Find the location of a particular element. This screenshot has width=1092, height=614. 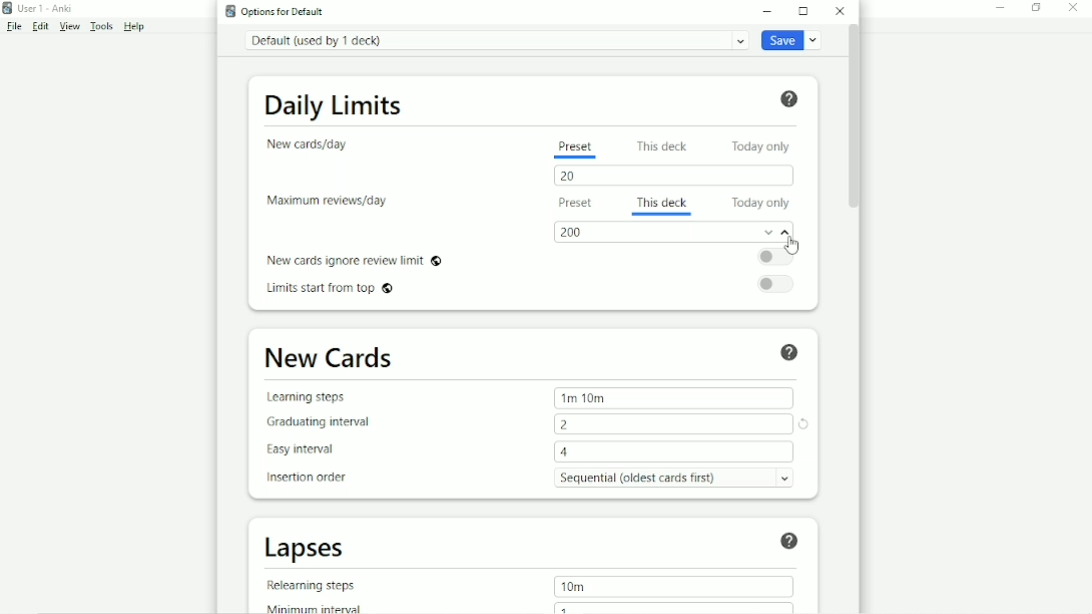

1m 10m is located at coordinates (584, 397).